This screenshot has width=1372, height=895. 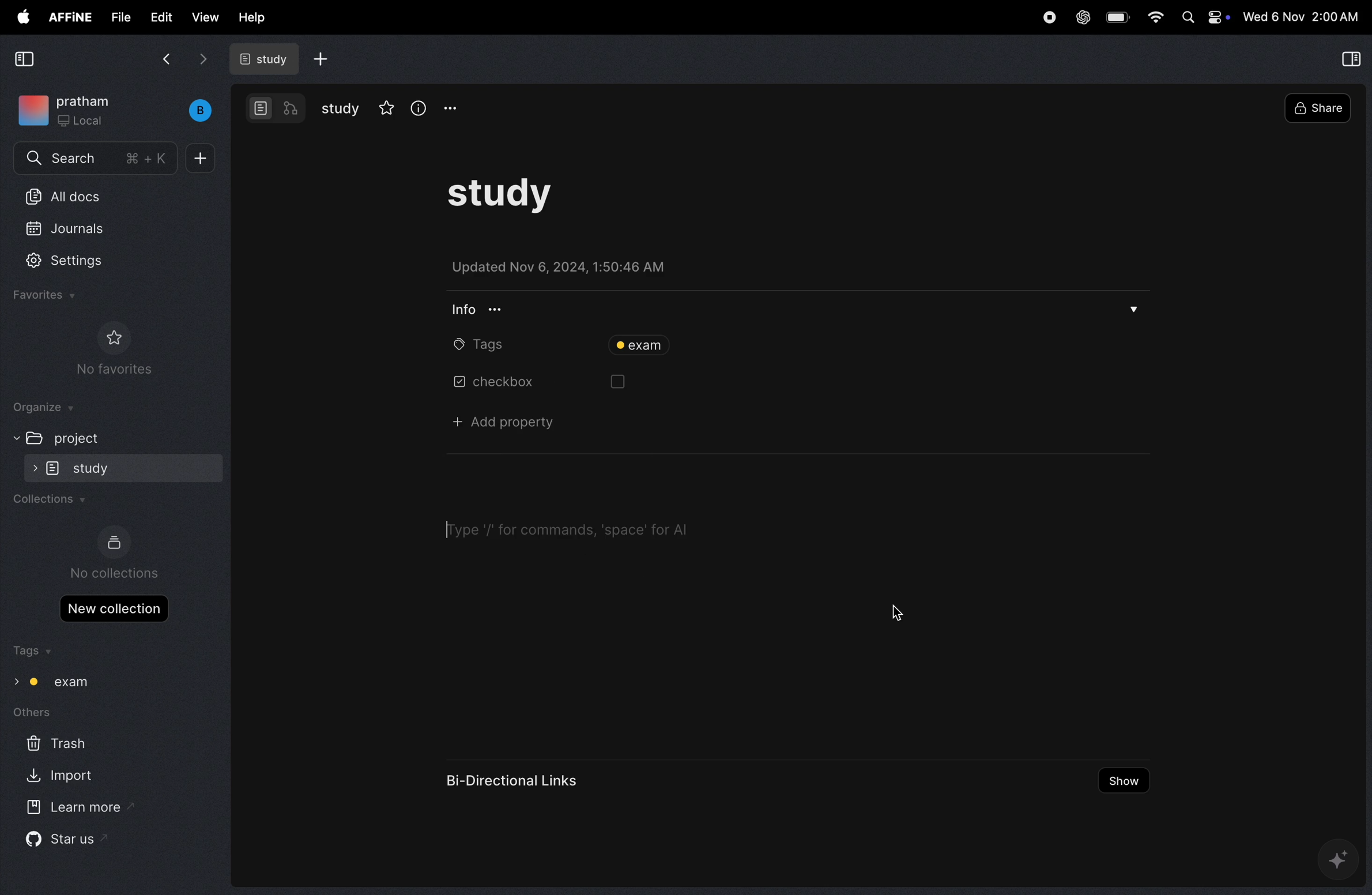 What do you see at coordinates (123, 467) in the screenshot?
I see `study` at bounding box center [123, 467].